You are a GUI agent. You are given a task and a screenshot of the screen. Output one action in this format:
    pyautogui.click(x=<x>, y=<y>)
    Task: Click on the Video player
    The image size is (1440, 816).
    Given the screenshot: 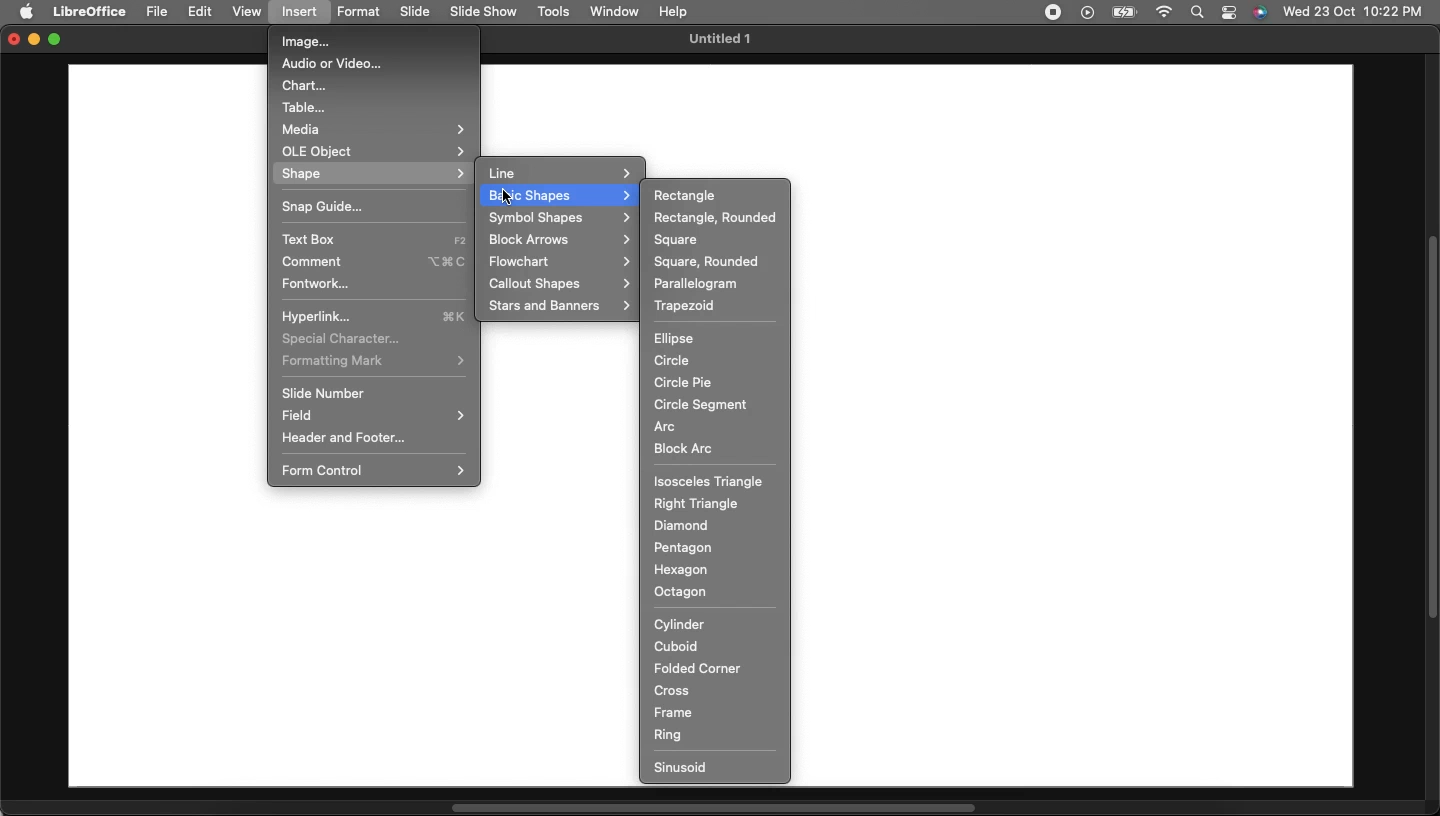 What is the action you would take?
    pyautogui.click(x=1085, y=13)
    